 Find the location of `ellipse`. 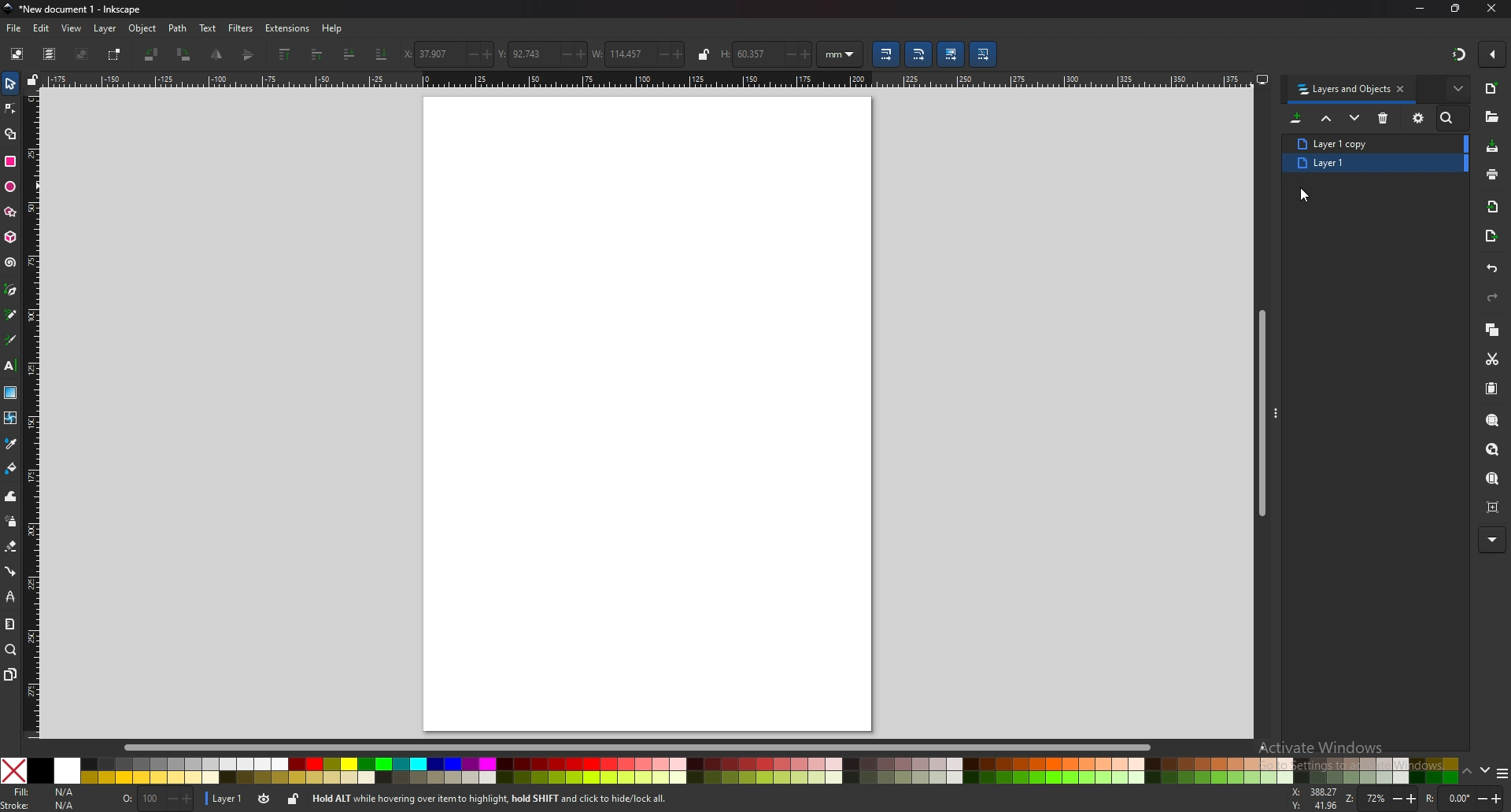

ellipse is located at coordinates (10, 186).